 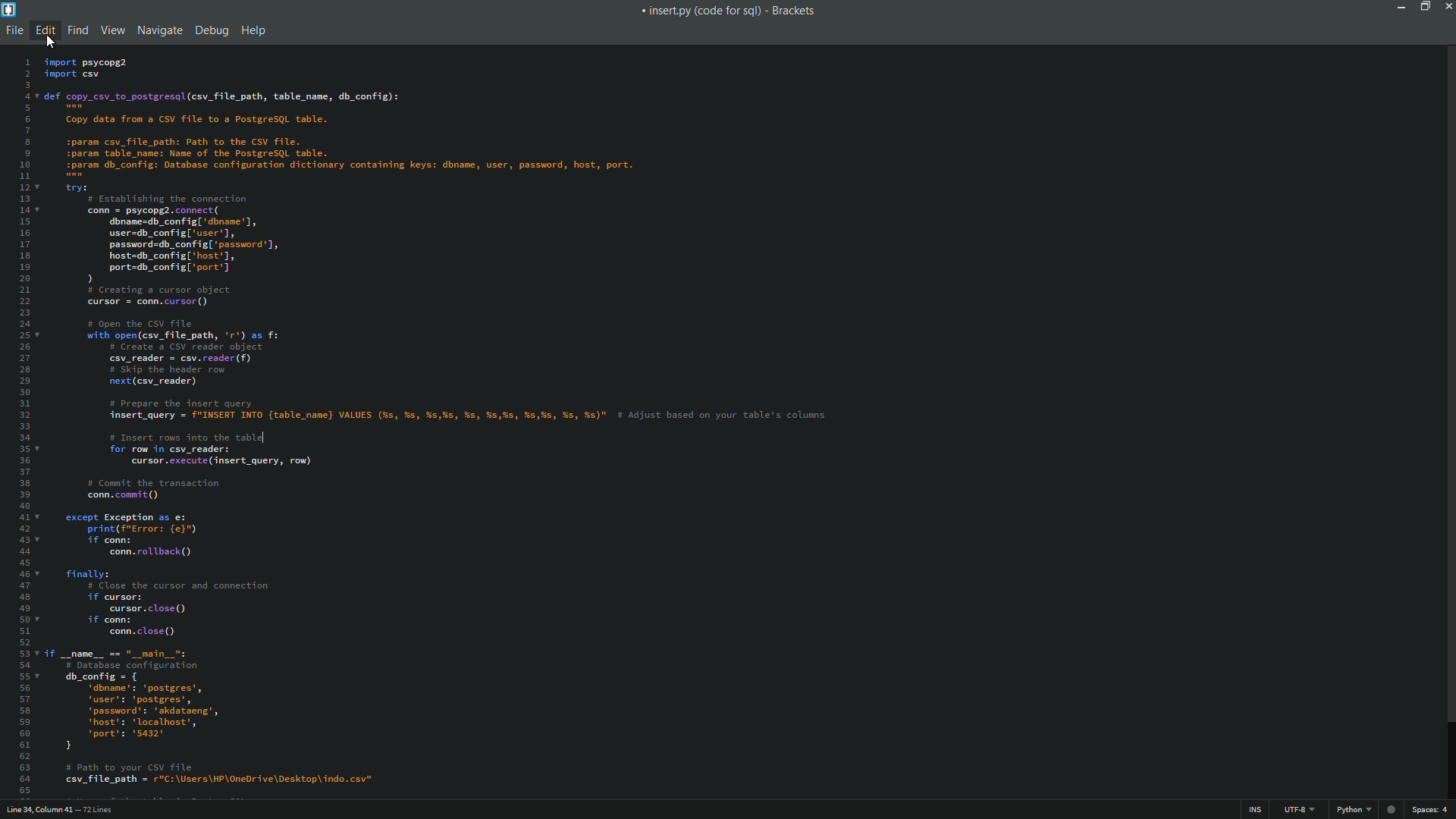 What do you see at coordinates (1257, 811) in the screenshot?
I see `ins` at bounding box center [1257, 811].